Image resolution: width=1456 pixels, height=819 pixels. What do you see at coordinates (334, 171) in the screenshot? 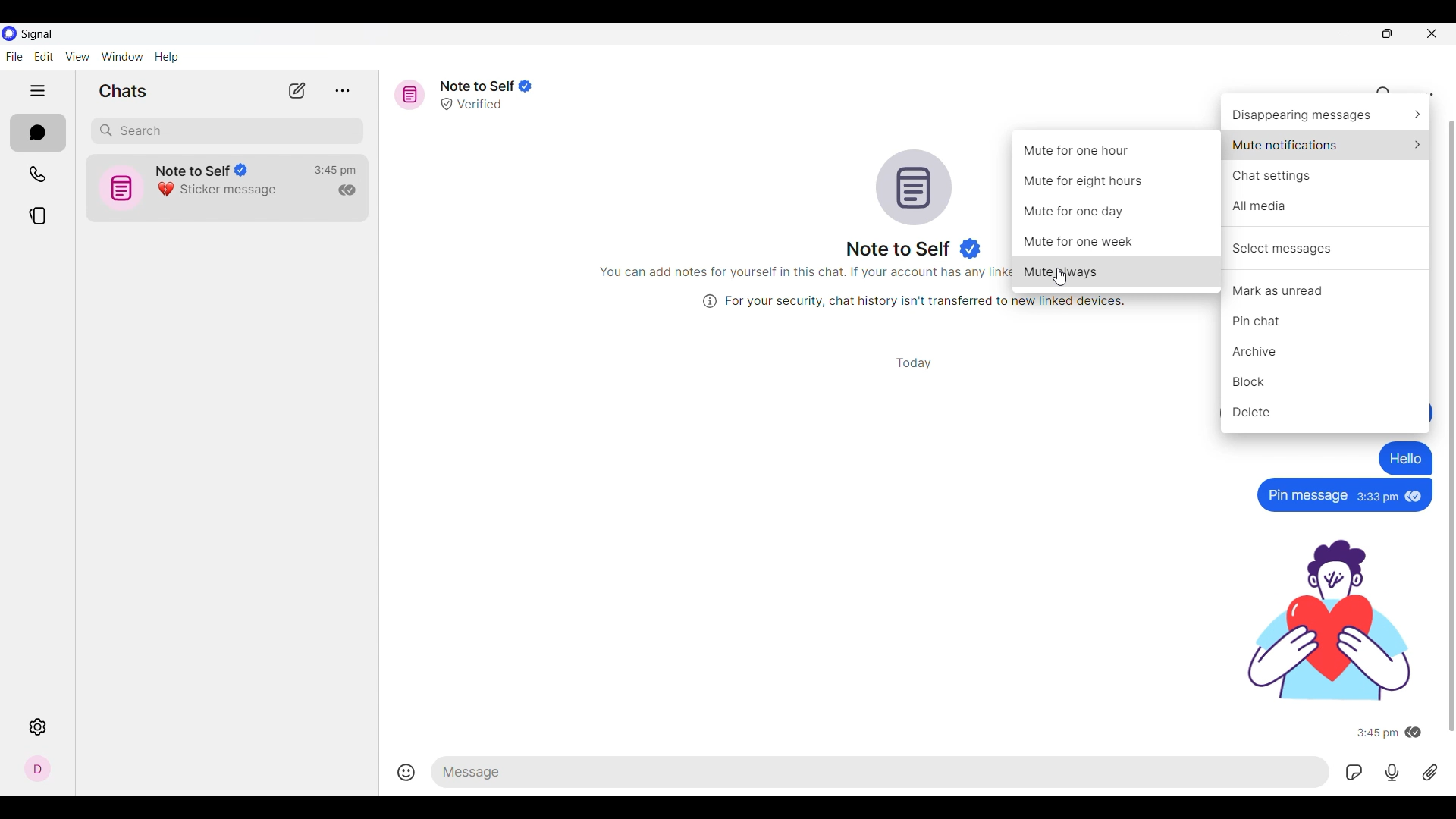
I see `Time of last conversation` at bounding box center [334, 171].